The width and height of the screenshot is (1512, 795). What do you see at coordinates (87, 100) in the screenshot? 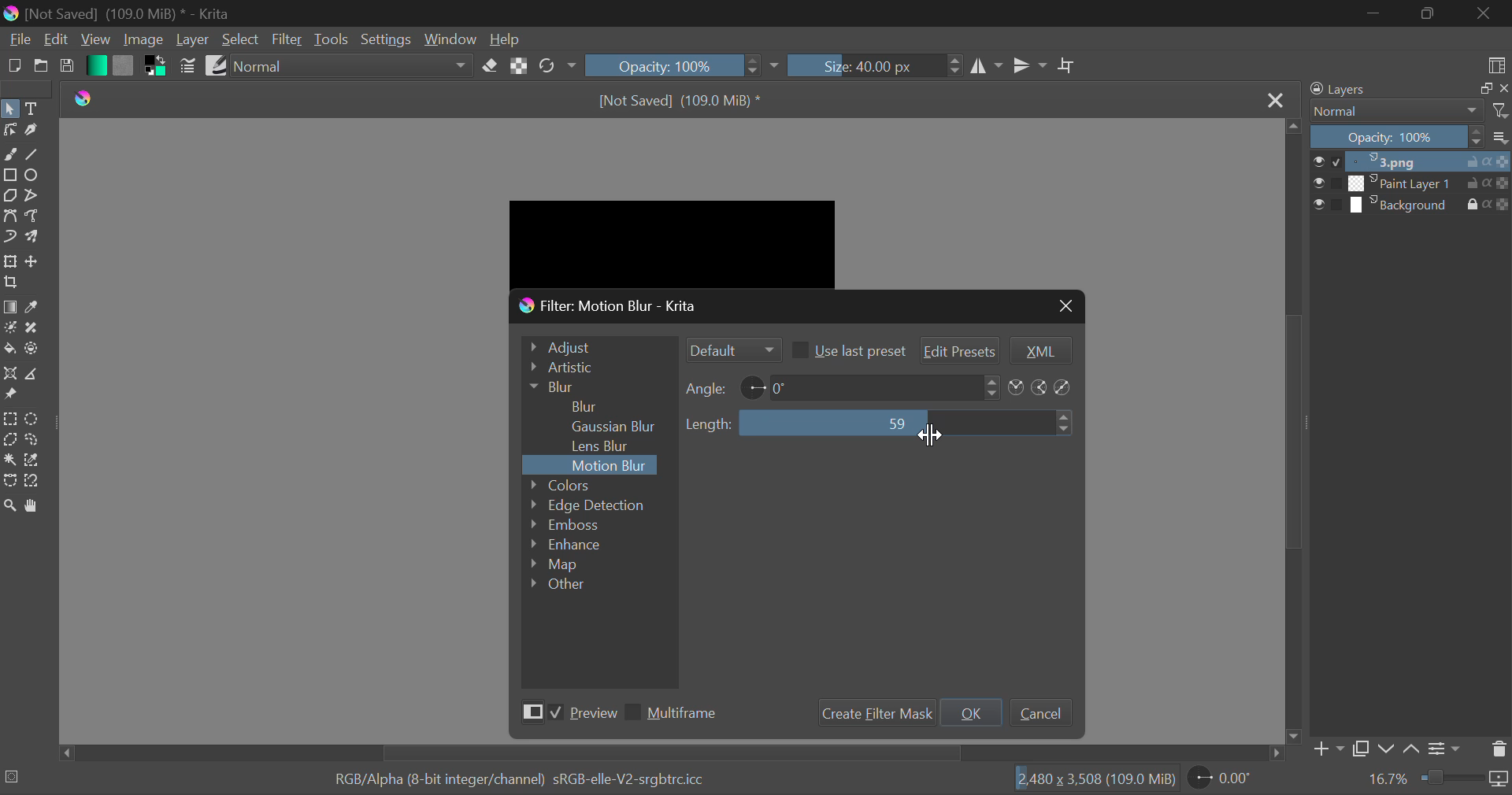
I see `Krita Logo` at bounding box center [87, 100].